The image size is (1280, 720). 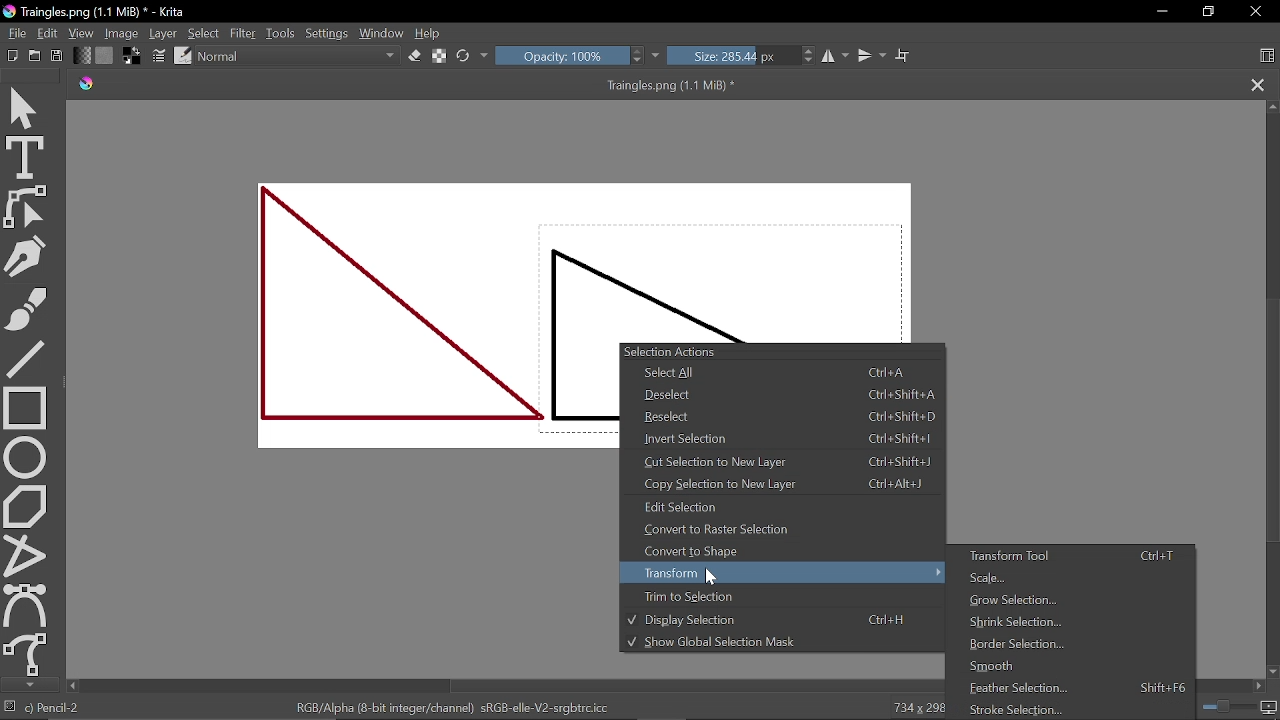 What do you see at coordinates (1061, 623) in the screenshot?
I see `Shrink selection` at bounding box center [1061, 623].